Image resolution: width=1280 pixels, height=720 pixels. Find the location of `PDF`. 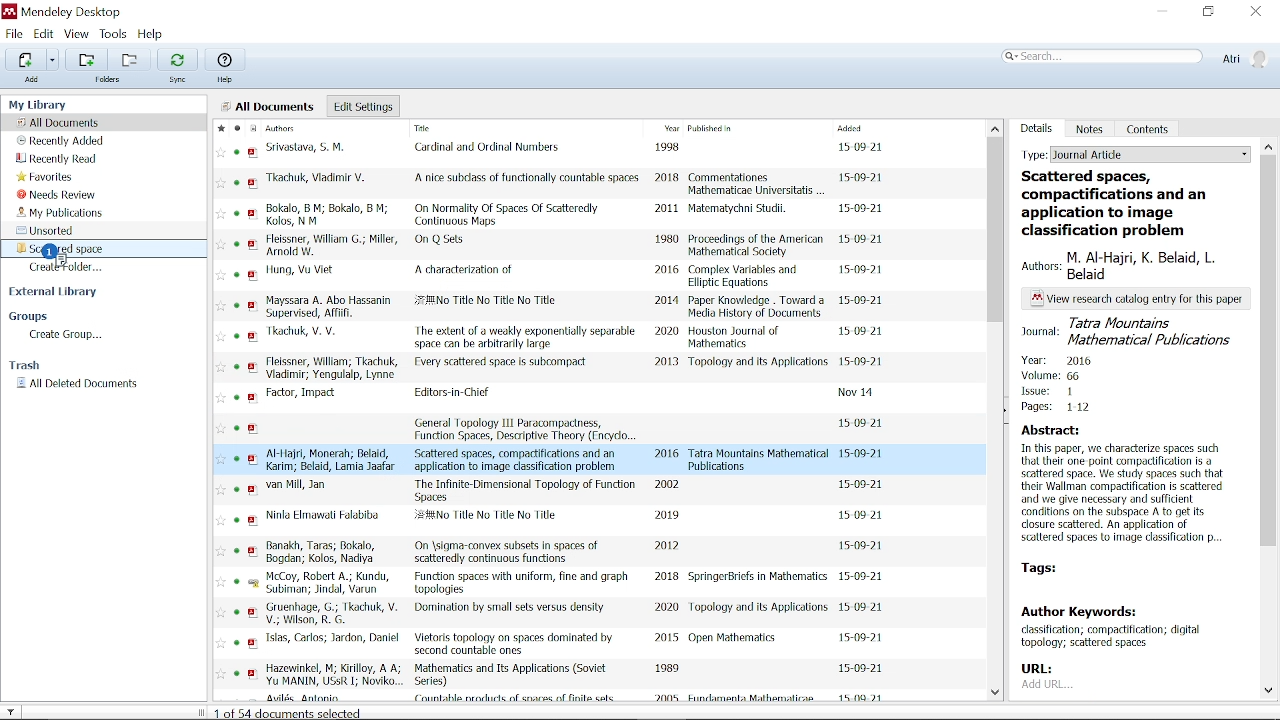

PDF is located at coordinates (253, 417).